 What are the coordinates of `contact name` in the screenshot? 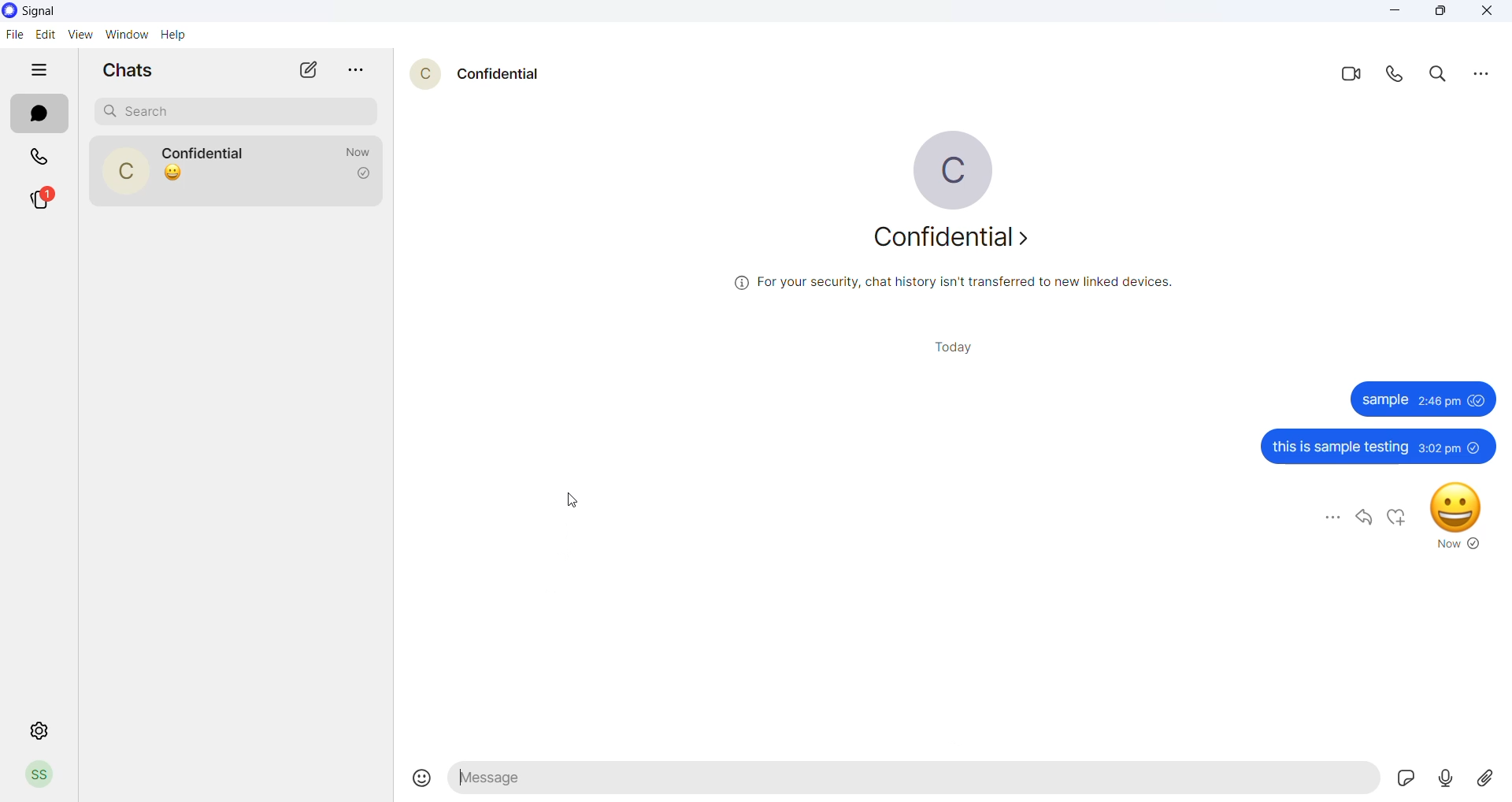 It's located at (204, 152).